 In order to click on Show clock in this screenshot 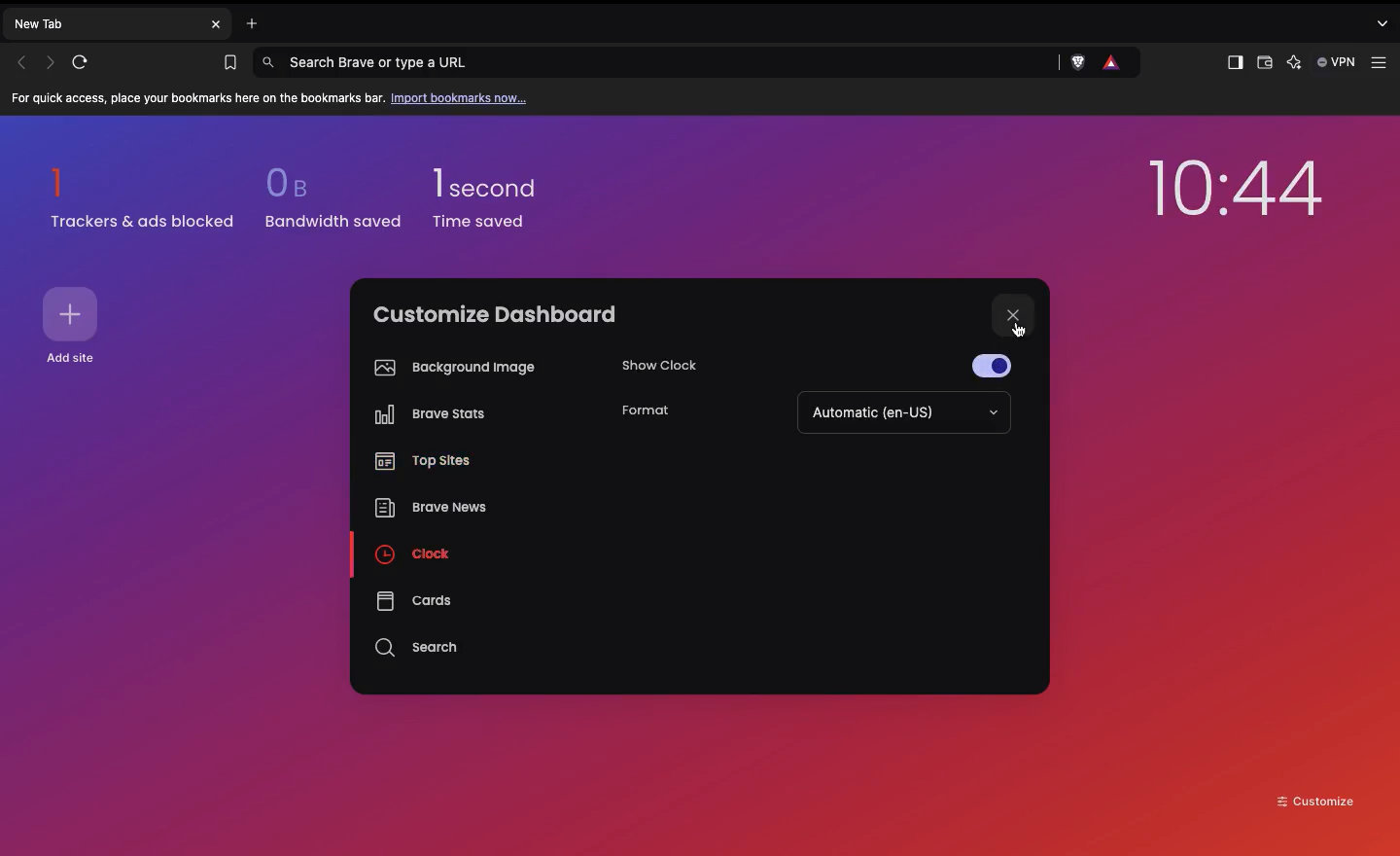, I will do `click(675, 360)`.